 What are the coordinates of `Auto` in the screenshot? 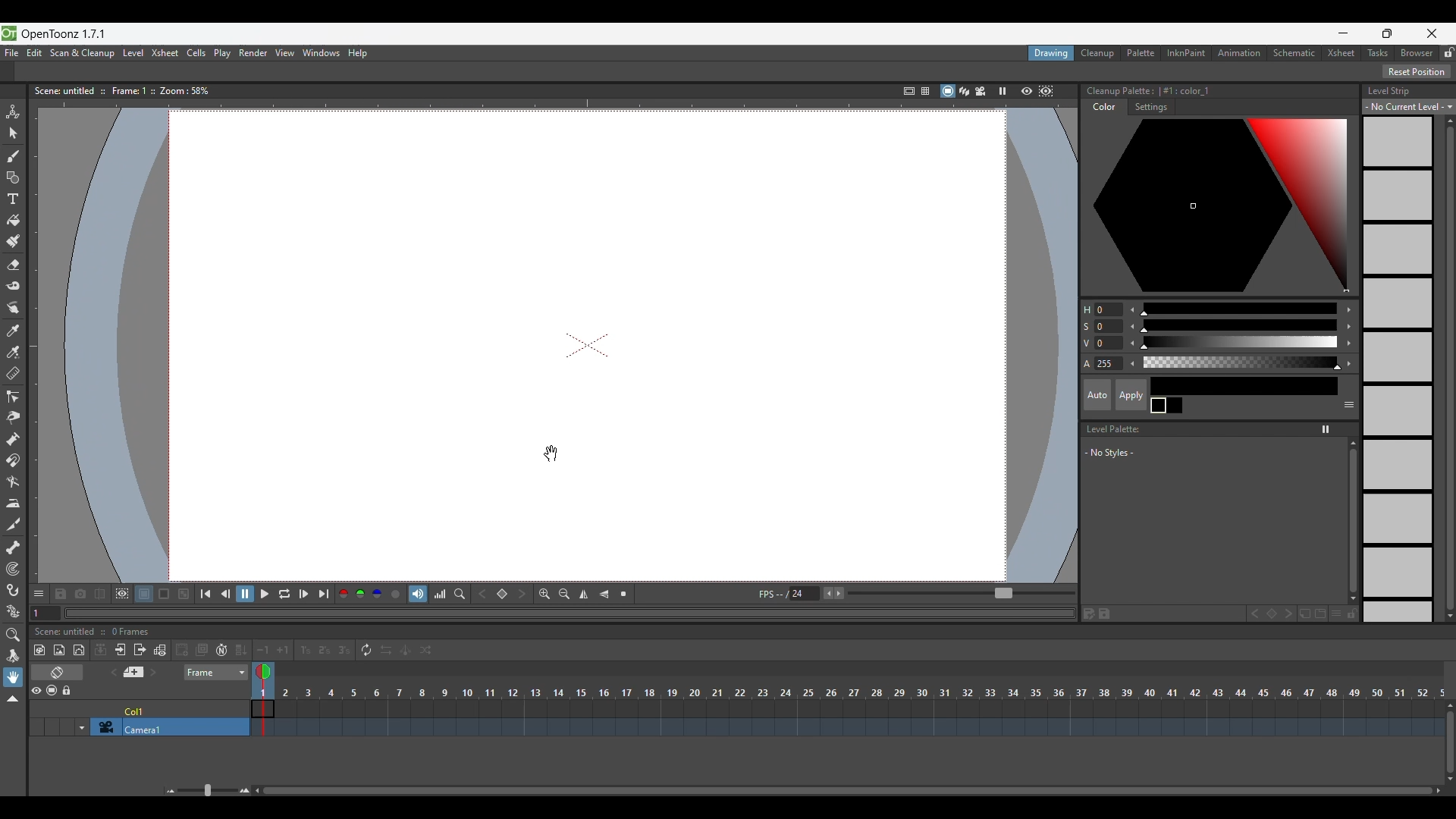 It's located at (1097, 395).